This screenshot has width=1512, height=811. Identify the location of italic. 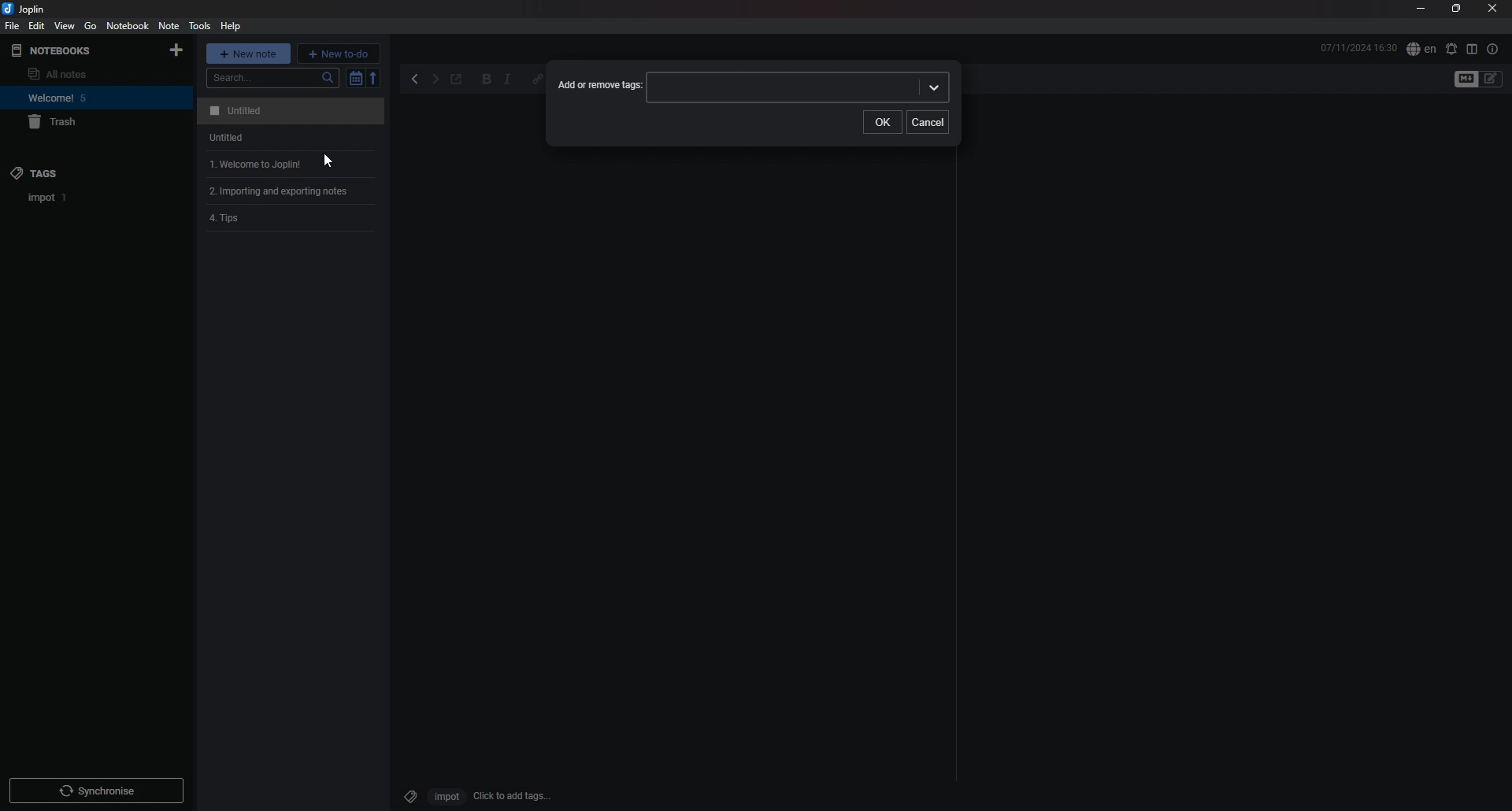
(507, 80).